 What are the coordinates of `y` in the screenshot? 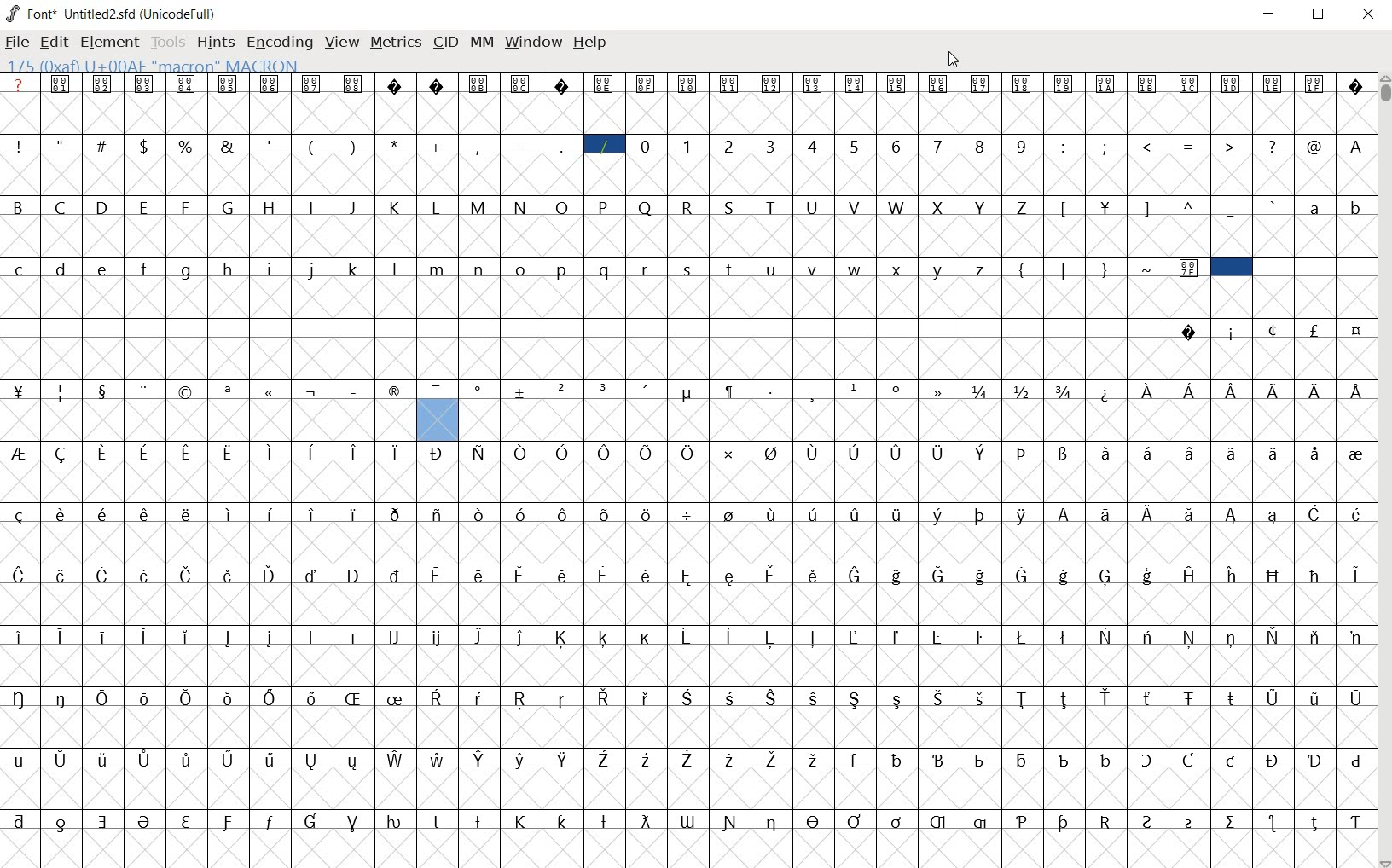 It's located at (940, 269).